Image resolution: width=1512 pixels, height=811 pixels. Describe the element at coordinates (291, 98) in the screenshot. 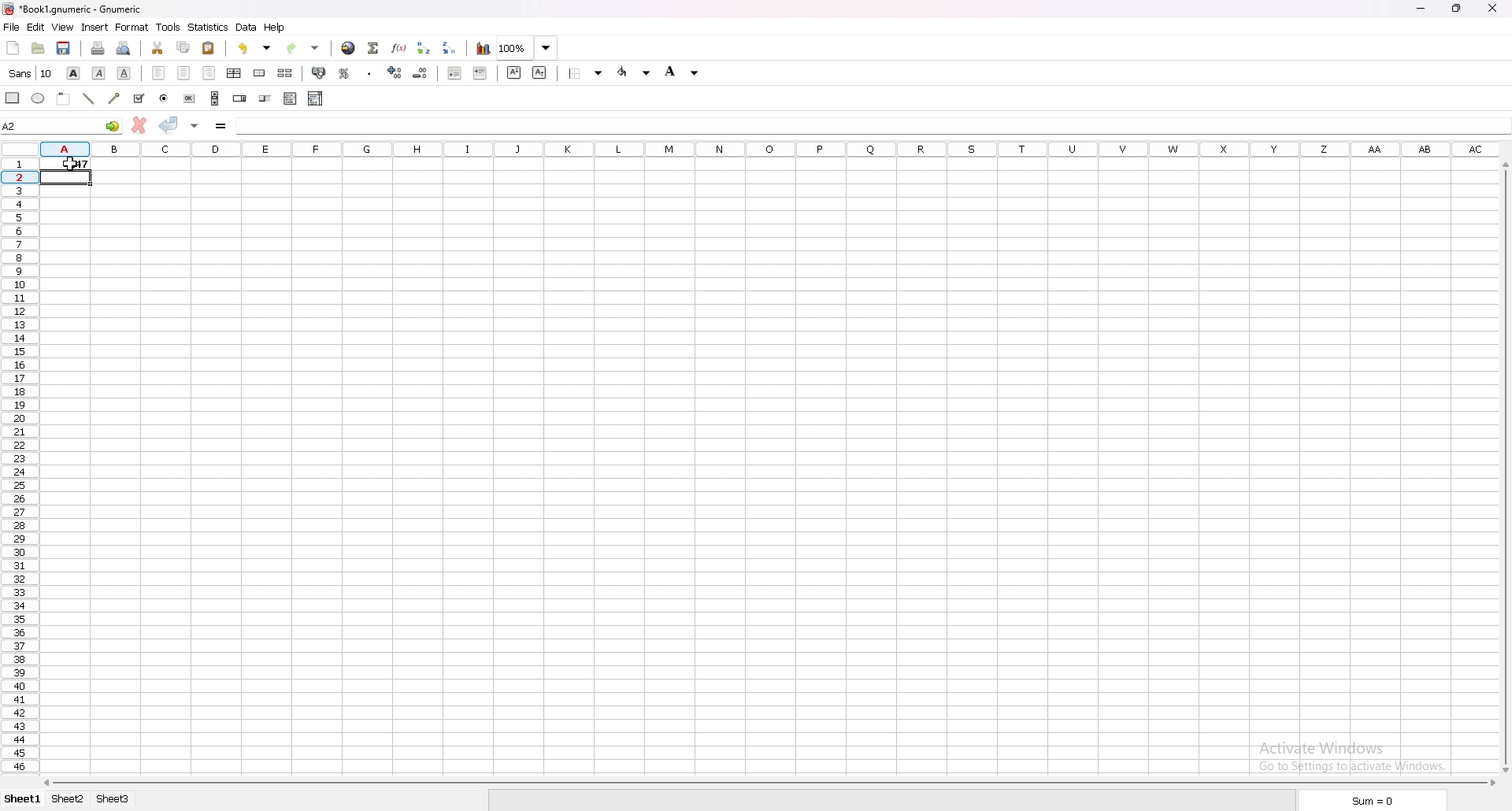

I see `list` at that location.